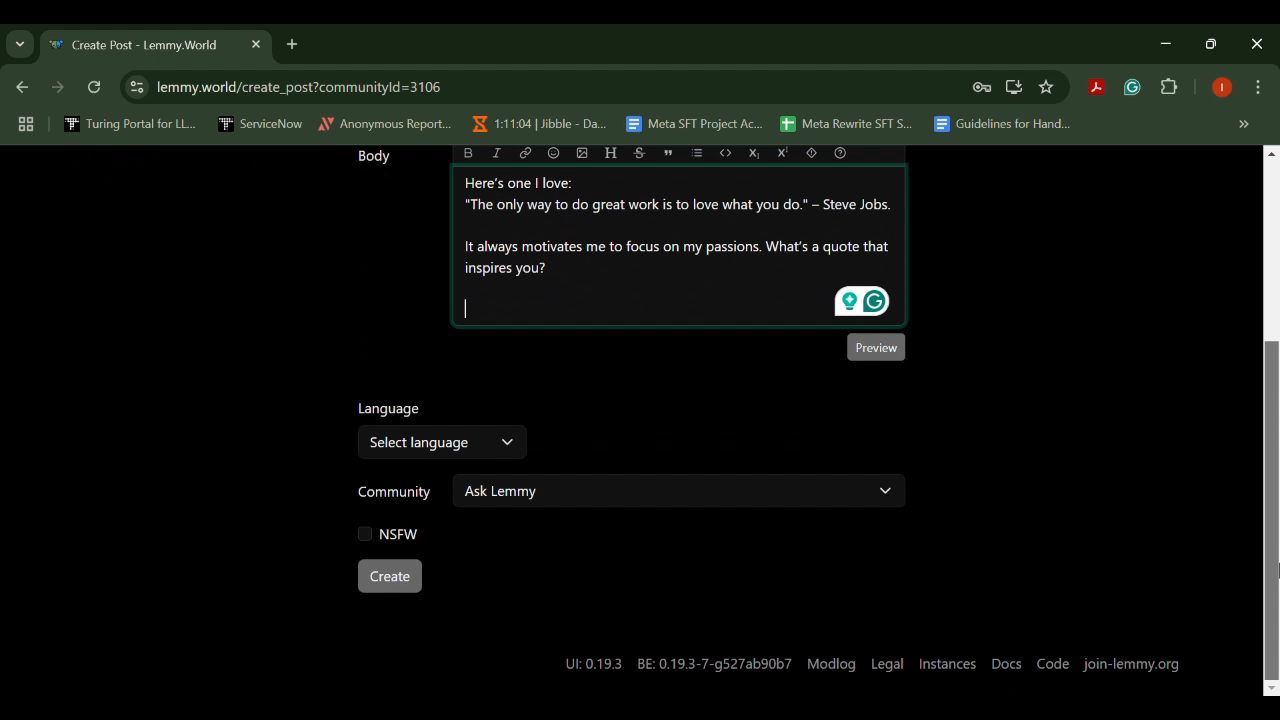  I want to click on Instances, so click(946, 662).